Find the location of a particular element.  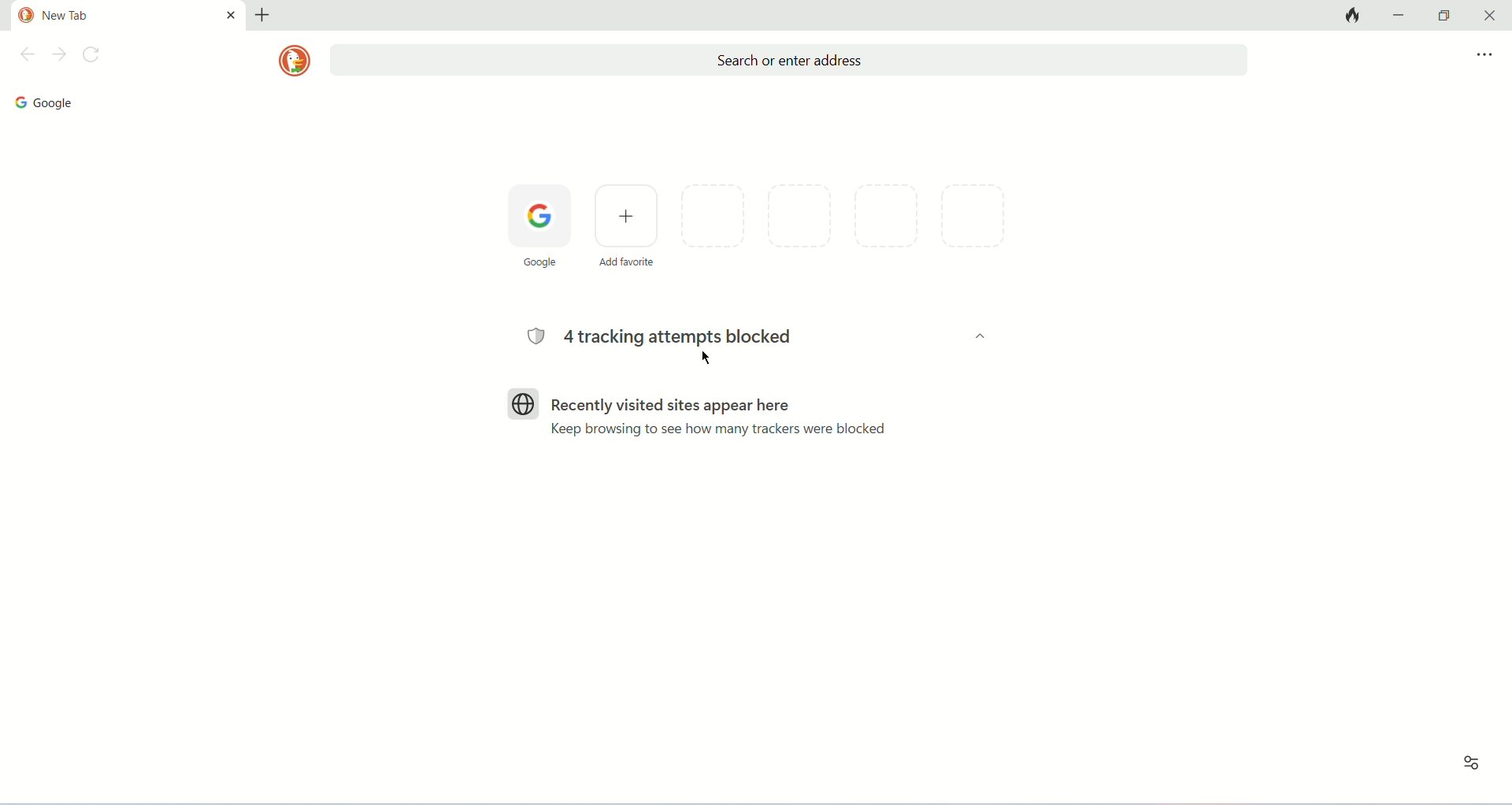

go back is located at coordinates (24, 57).